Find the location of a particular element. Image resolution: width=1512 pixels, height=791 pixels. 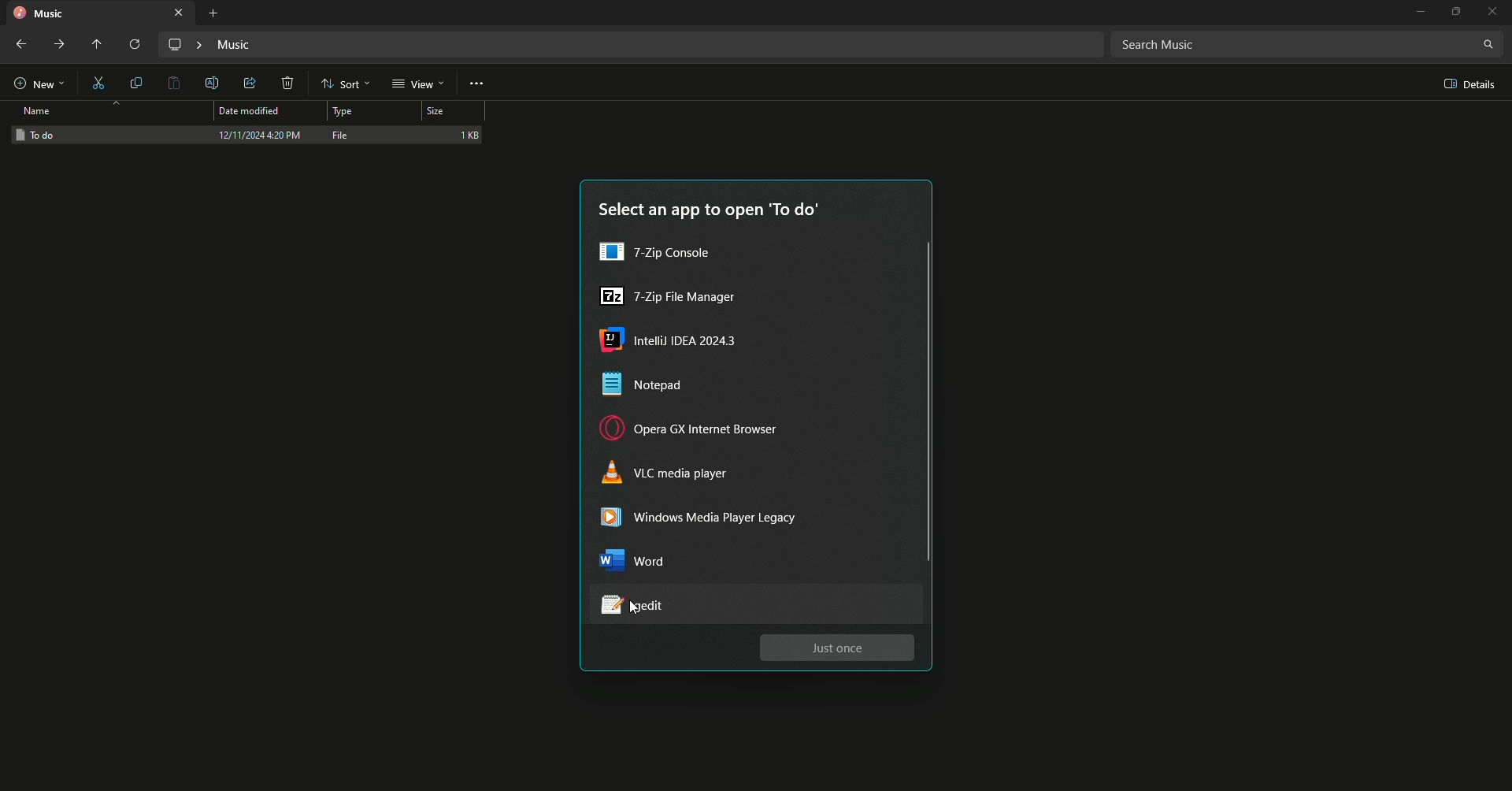

New tab is located at coordinates (211, 13).